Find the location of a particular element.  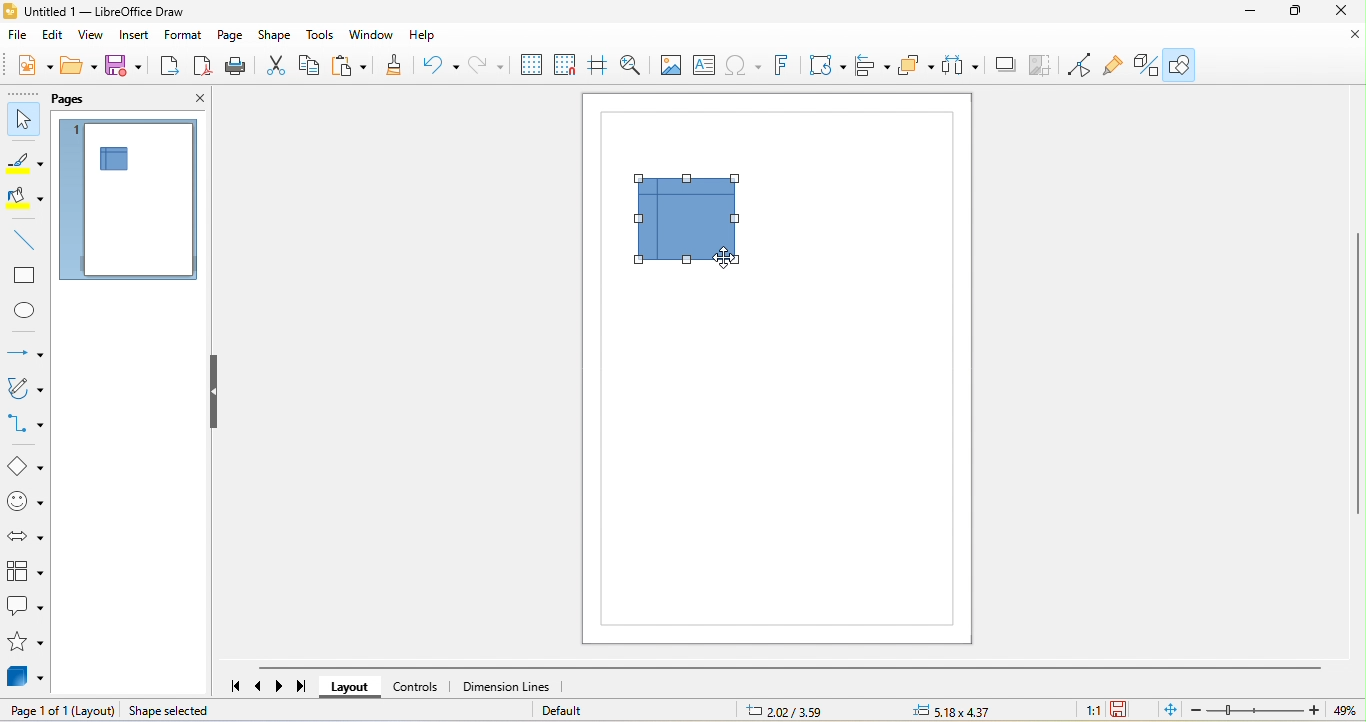

edit is located at coordinates (55, 36).